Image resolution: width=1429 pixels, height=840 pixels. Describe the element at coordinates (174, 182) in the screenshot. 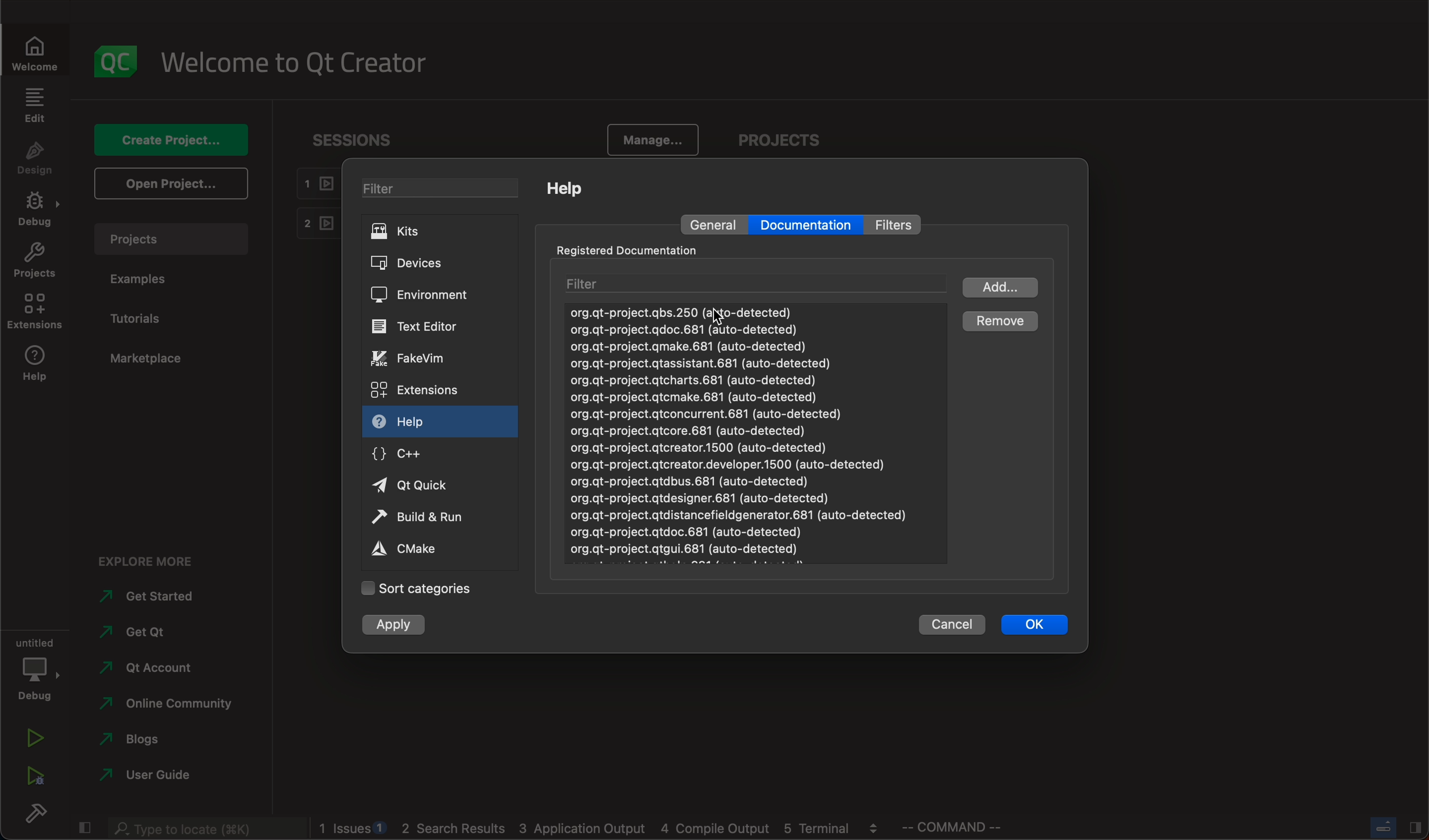

I see `open` at that location.